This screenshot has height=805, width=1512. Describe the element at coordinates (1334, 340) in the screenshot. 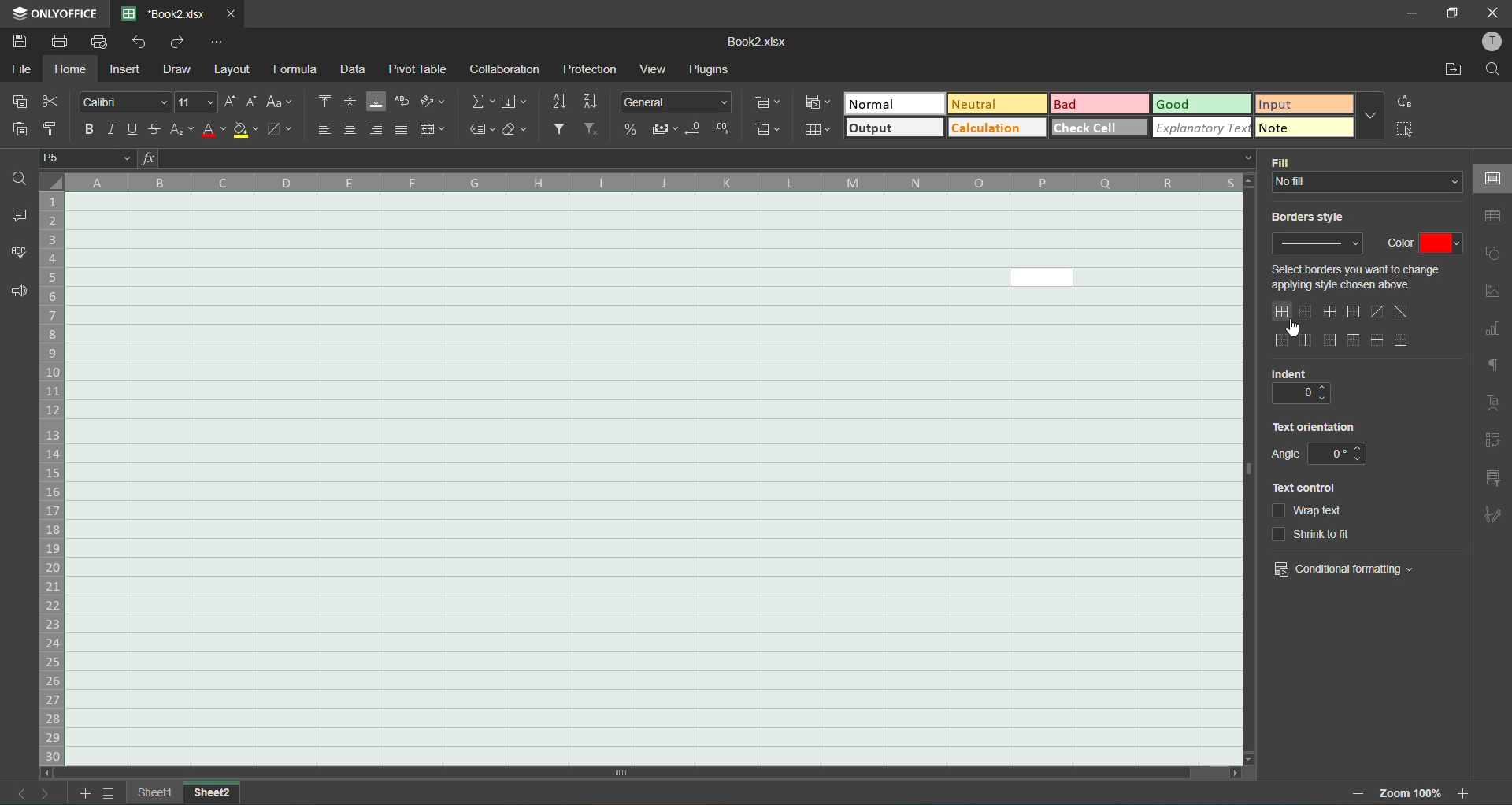

I see `outer right border only` at that location.